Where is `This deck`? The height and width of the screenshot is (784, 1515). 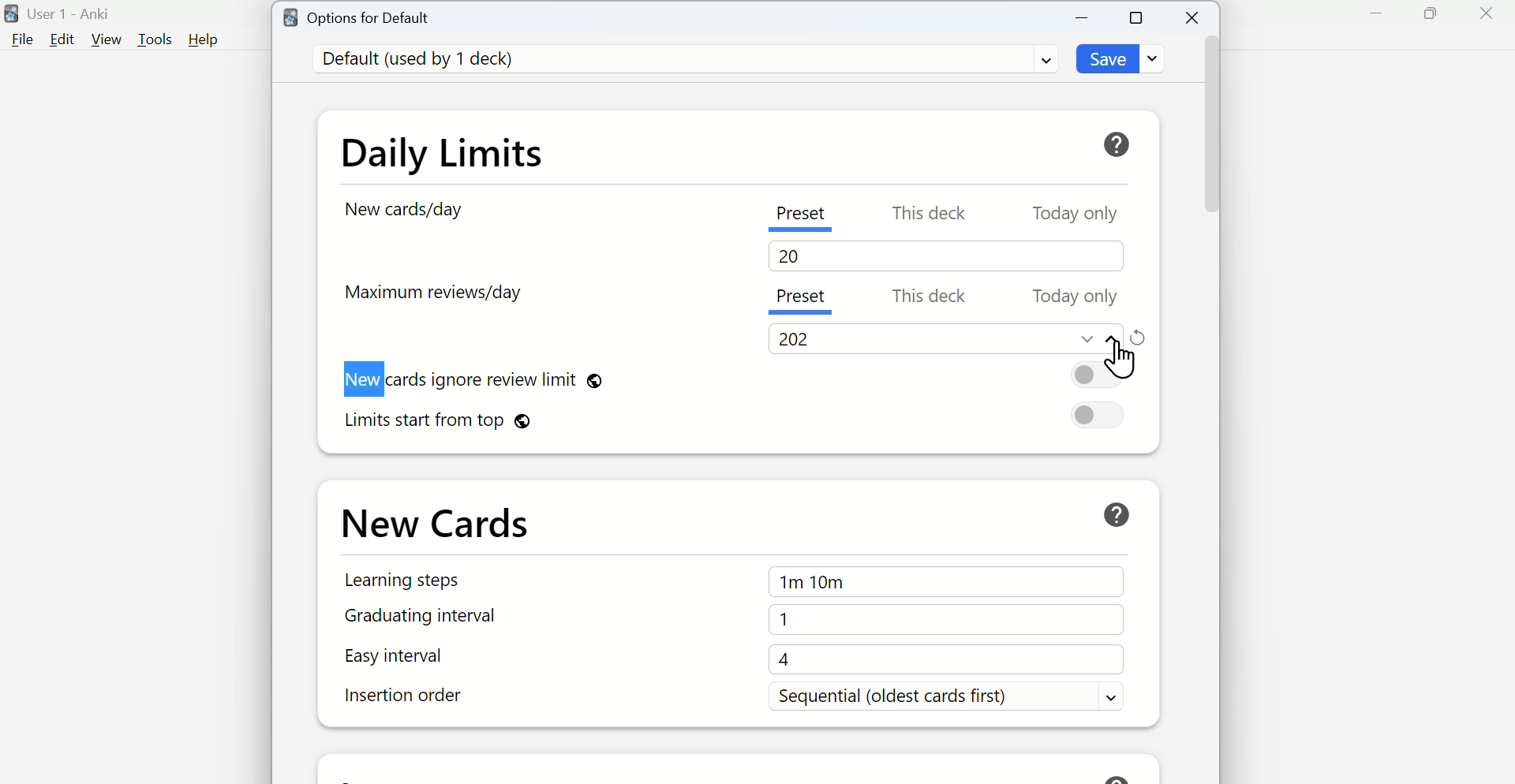 This deck is located at coordinates (931, 298).